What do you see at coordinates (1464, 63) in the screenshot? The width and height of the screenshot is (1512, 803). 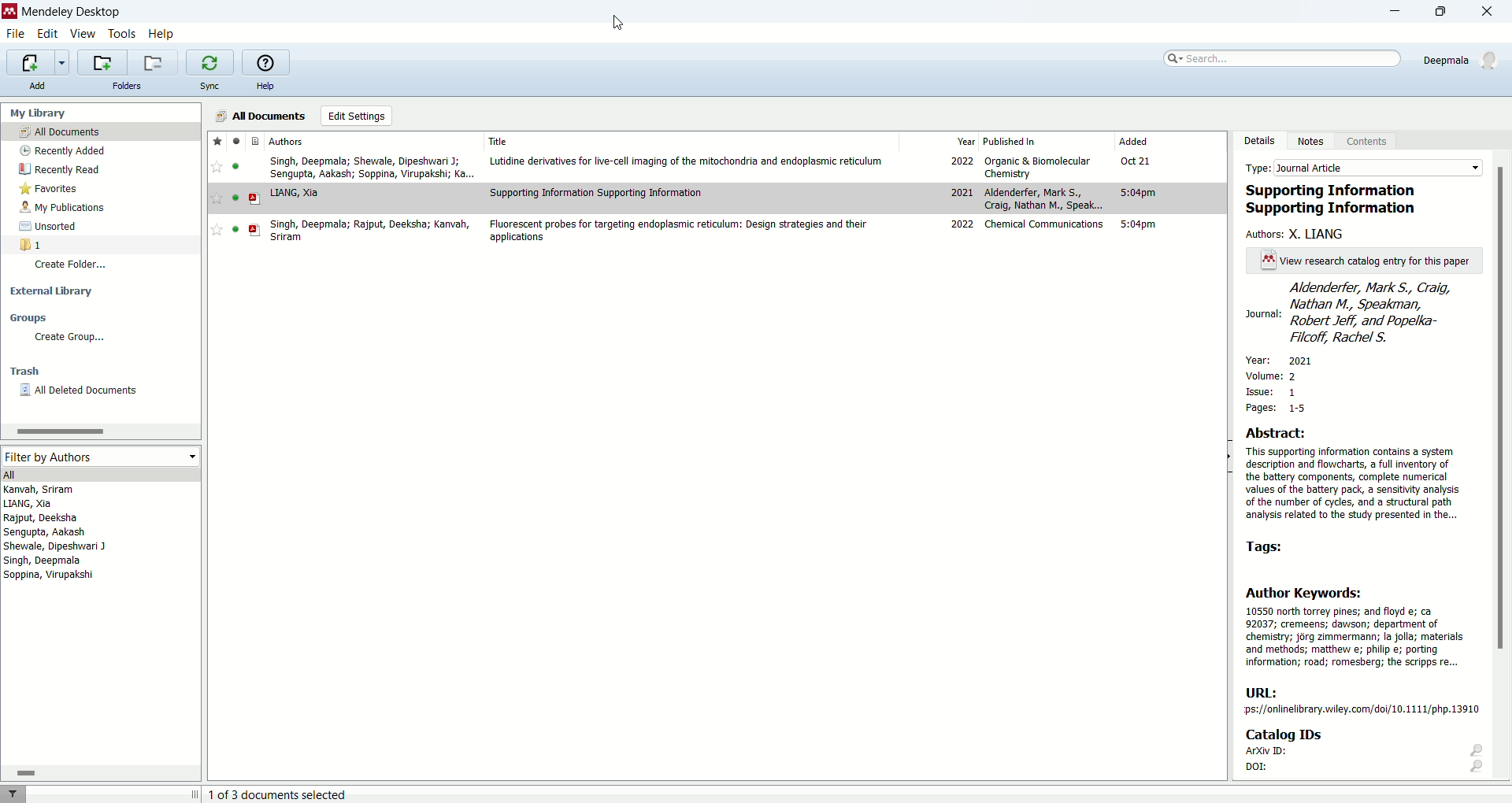 I see `deepmala` at bounding box center [1464, 63].